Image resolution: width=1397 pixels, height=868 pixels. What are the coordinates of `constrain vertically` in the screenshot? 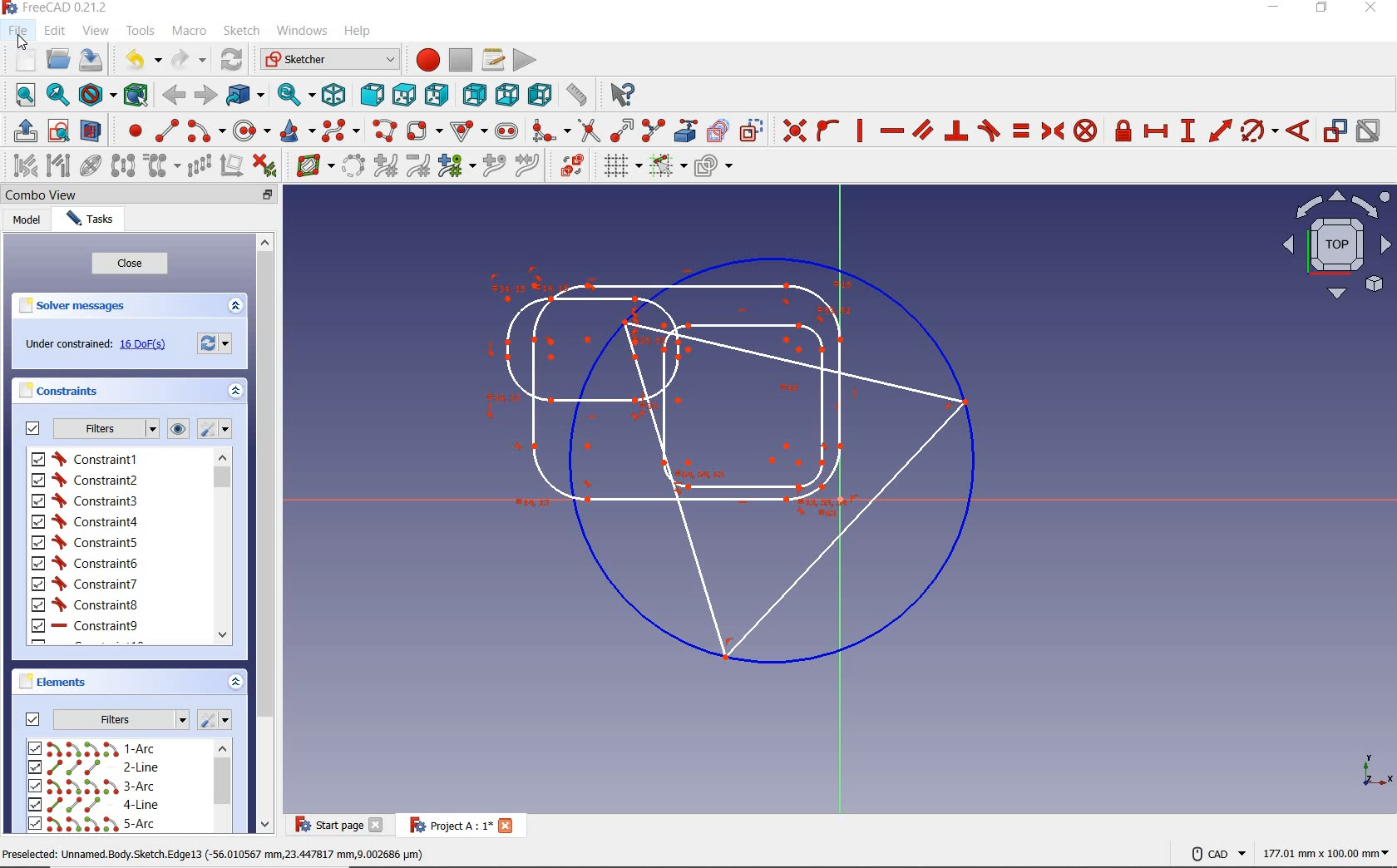 It's located at (861, 131).